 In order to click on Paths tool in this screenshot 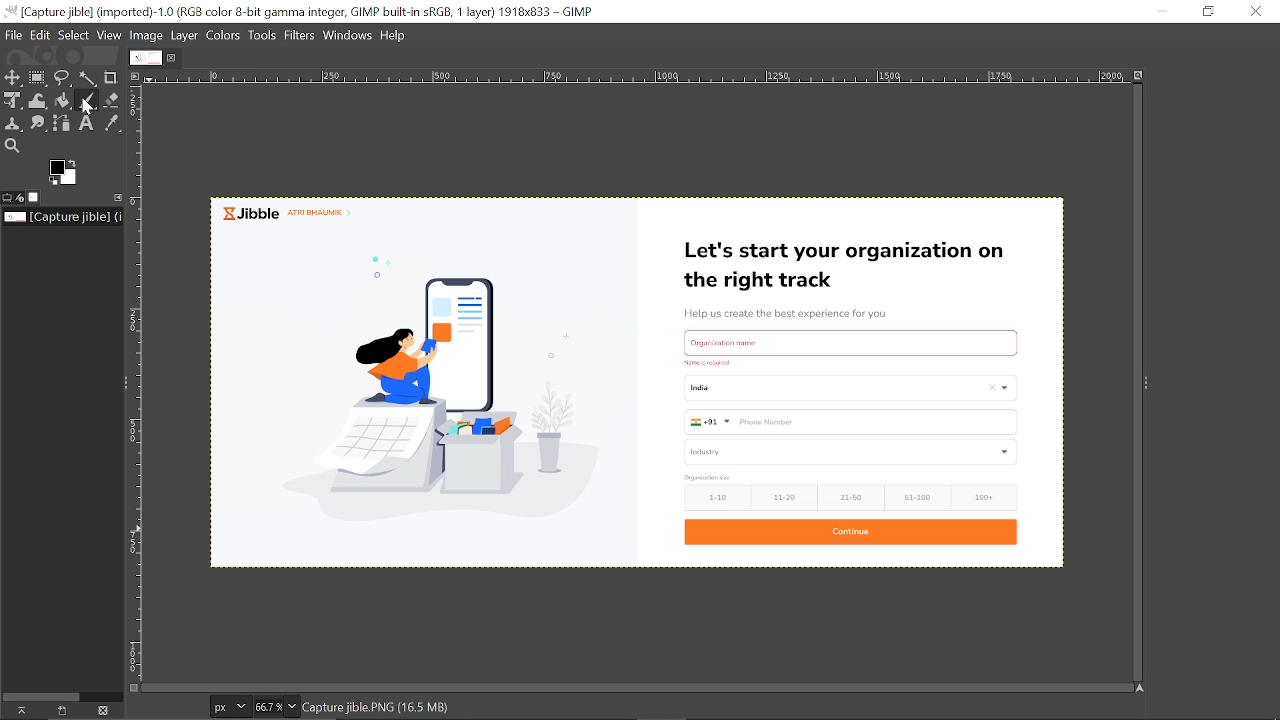, I will do `click(64, 124)`.